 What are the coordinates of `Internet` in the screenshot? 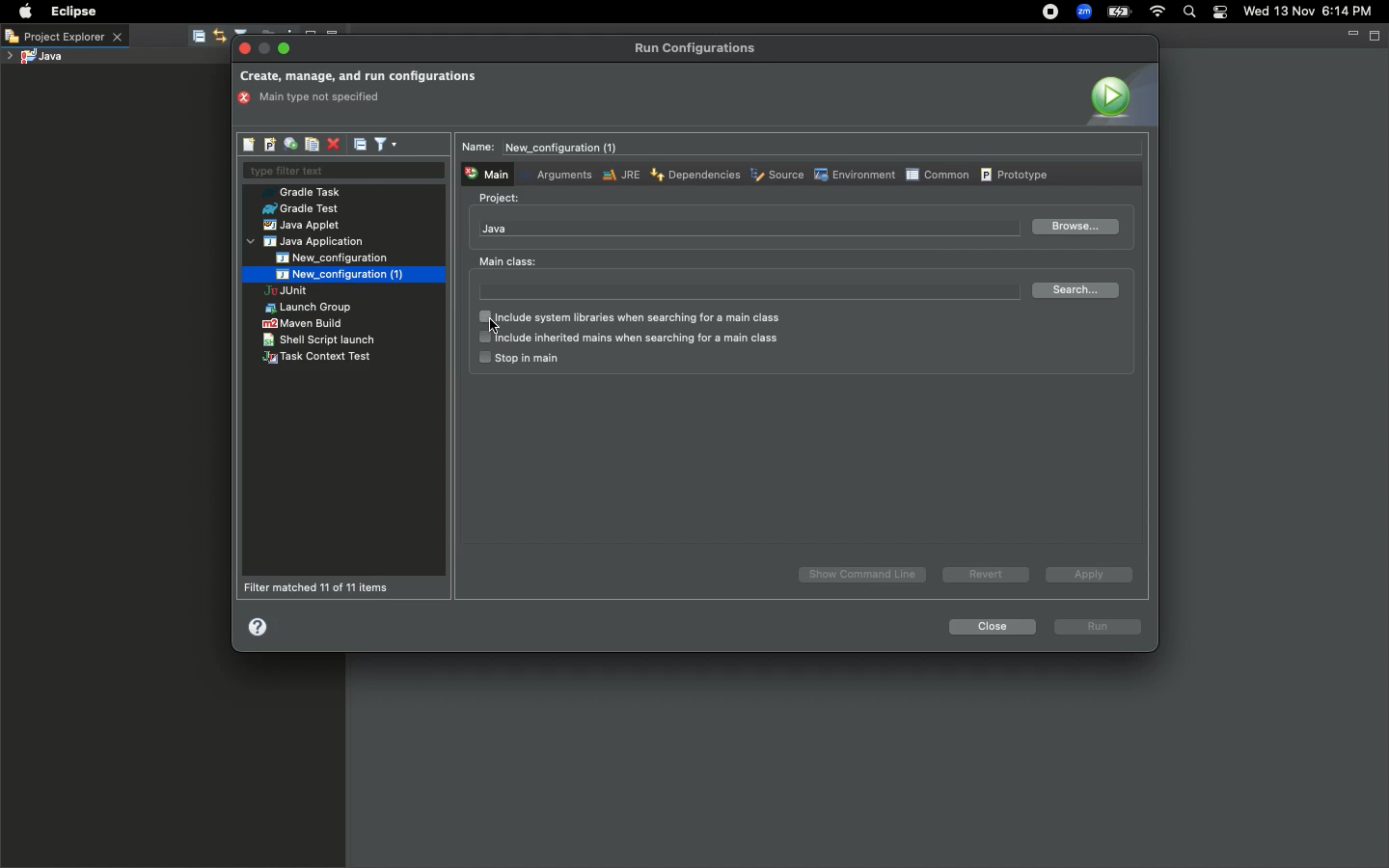 It's located at (1156, 14).